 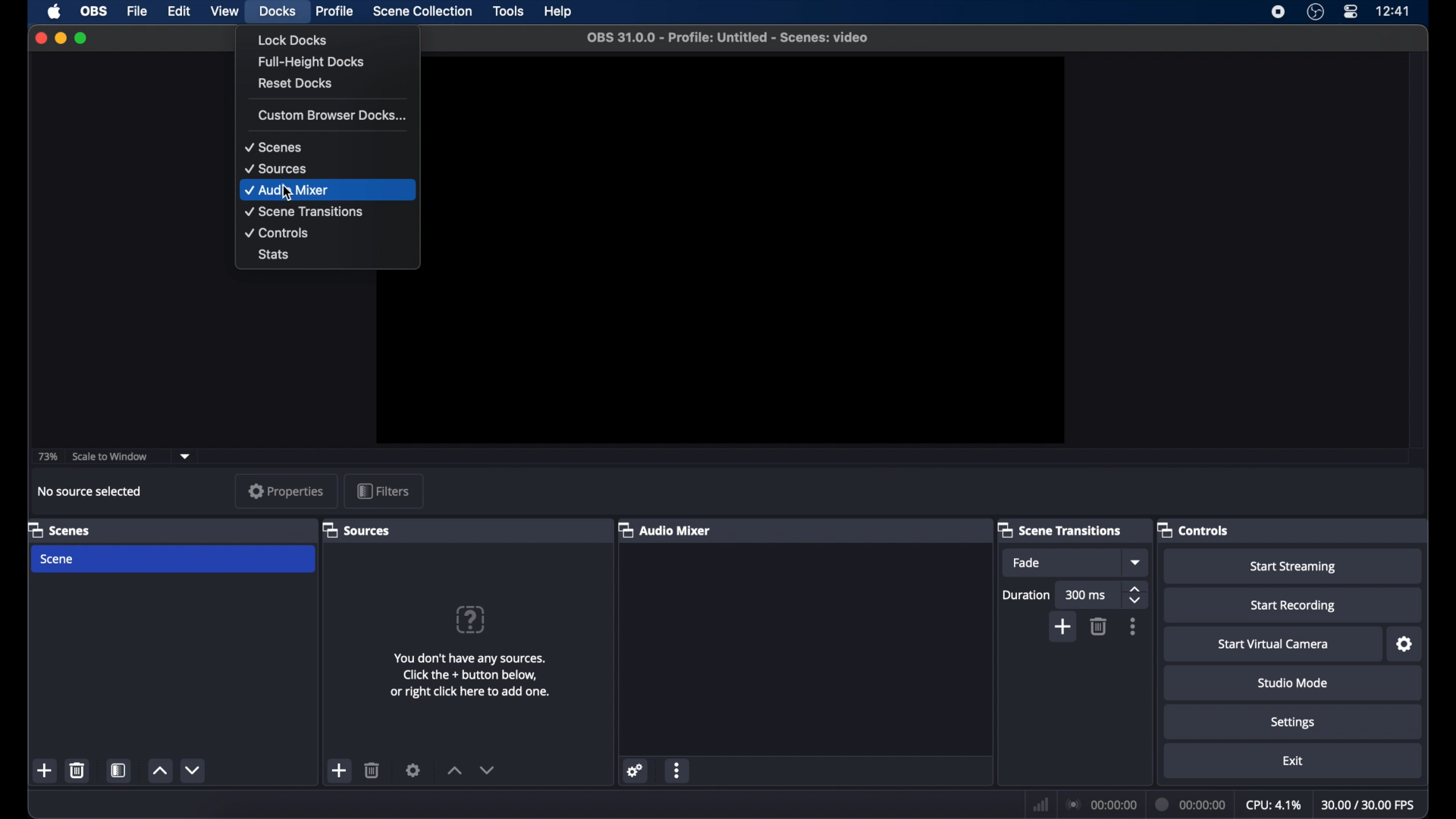 I want to click on controls, so click(x=277, y=233).